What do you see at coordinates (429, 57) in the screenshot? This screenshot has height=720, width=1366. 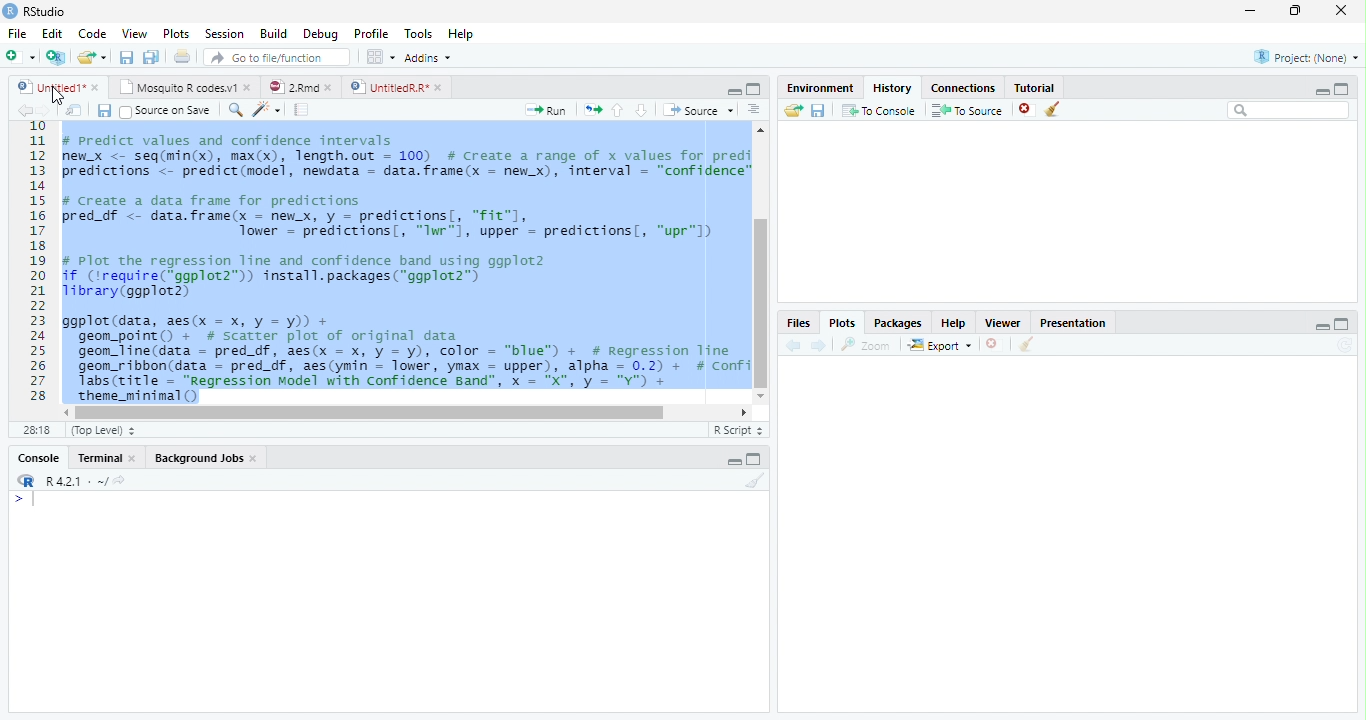 I see `Addins` at bounding box center [429, 57].